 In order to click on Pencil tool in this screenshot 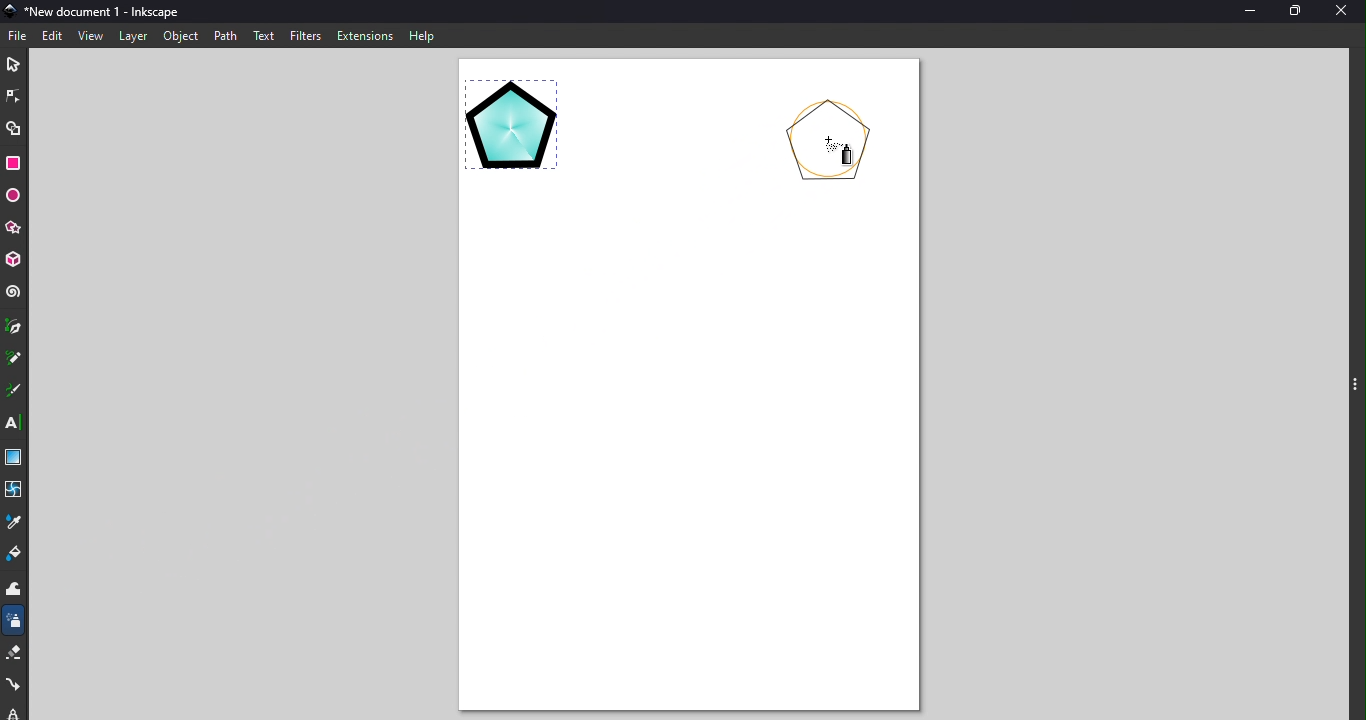, I will do `click(13, 357)`.